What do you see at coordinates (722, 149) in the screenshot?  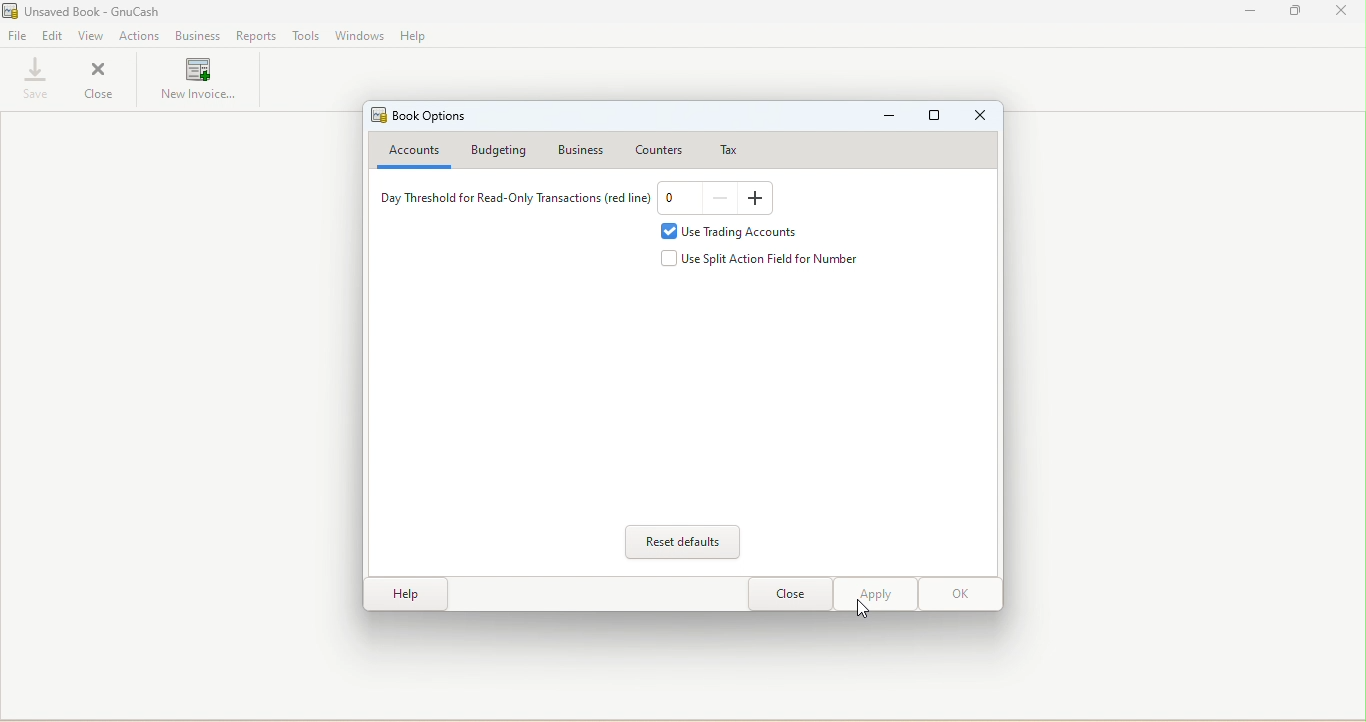 I see `Tax` at bounding box center [722, 149].